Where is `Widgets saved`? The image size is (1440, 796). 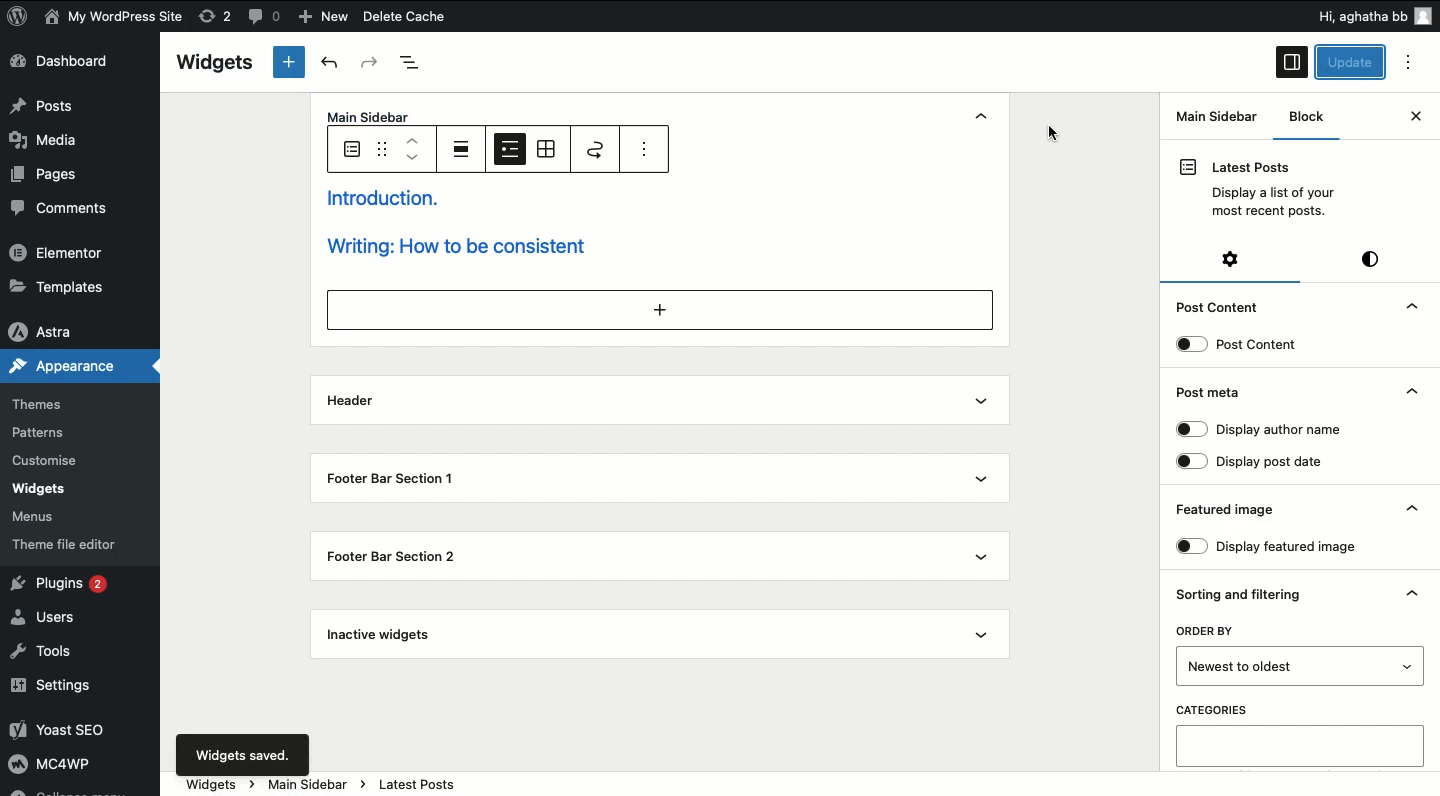
Widgets saved is located at coordinates (244, 753).